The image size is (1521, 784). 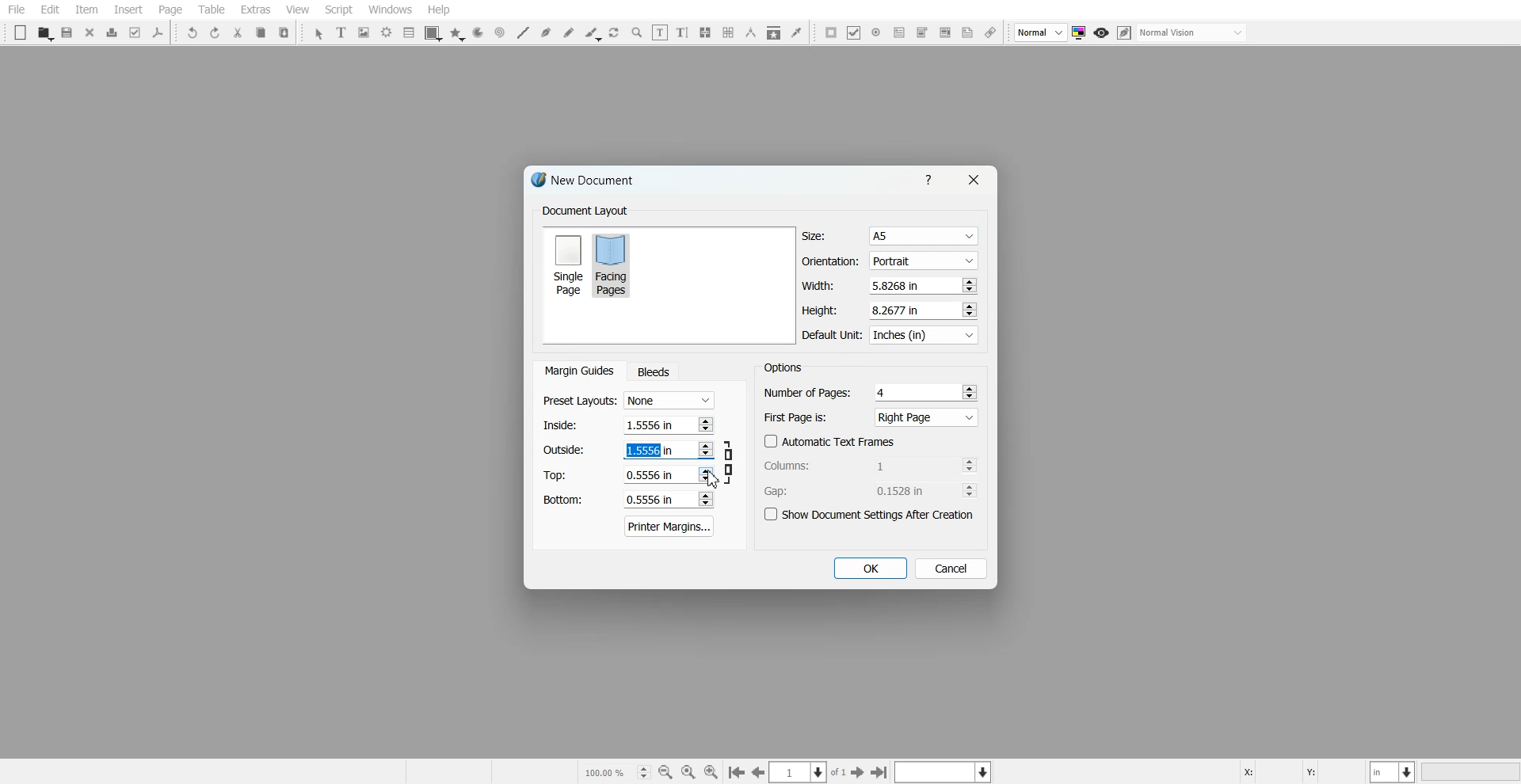 What do you see at coordinates (391, 10) in the screenshot?
I see `Windows` at bounding box center [391, 10].